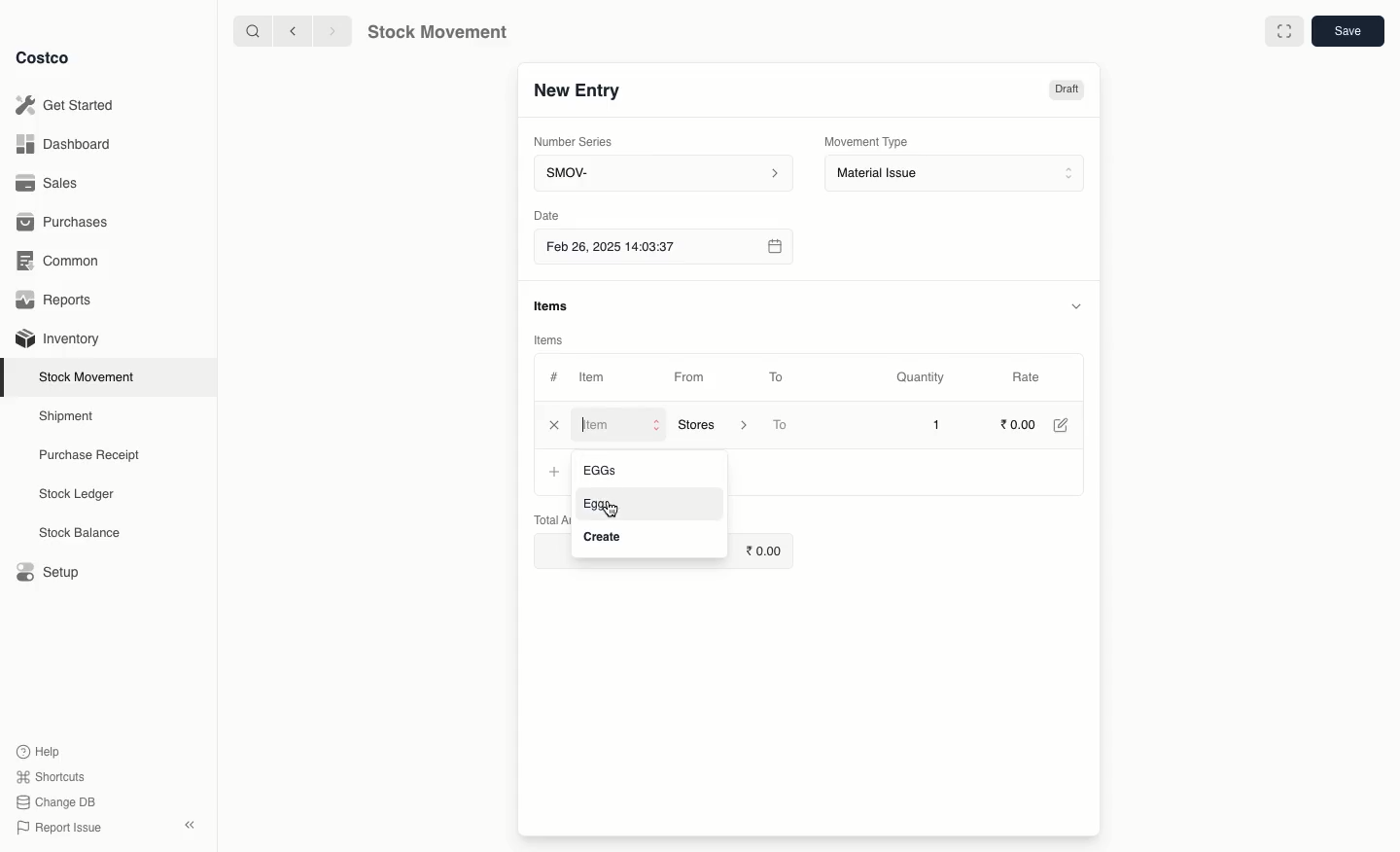  What do you see at coordinates (69, 104) in the screenshot?
I see `Get Started` at bounding box center [69, 104].